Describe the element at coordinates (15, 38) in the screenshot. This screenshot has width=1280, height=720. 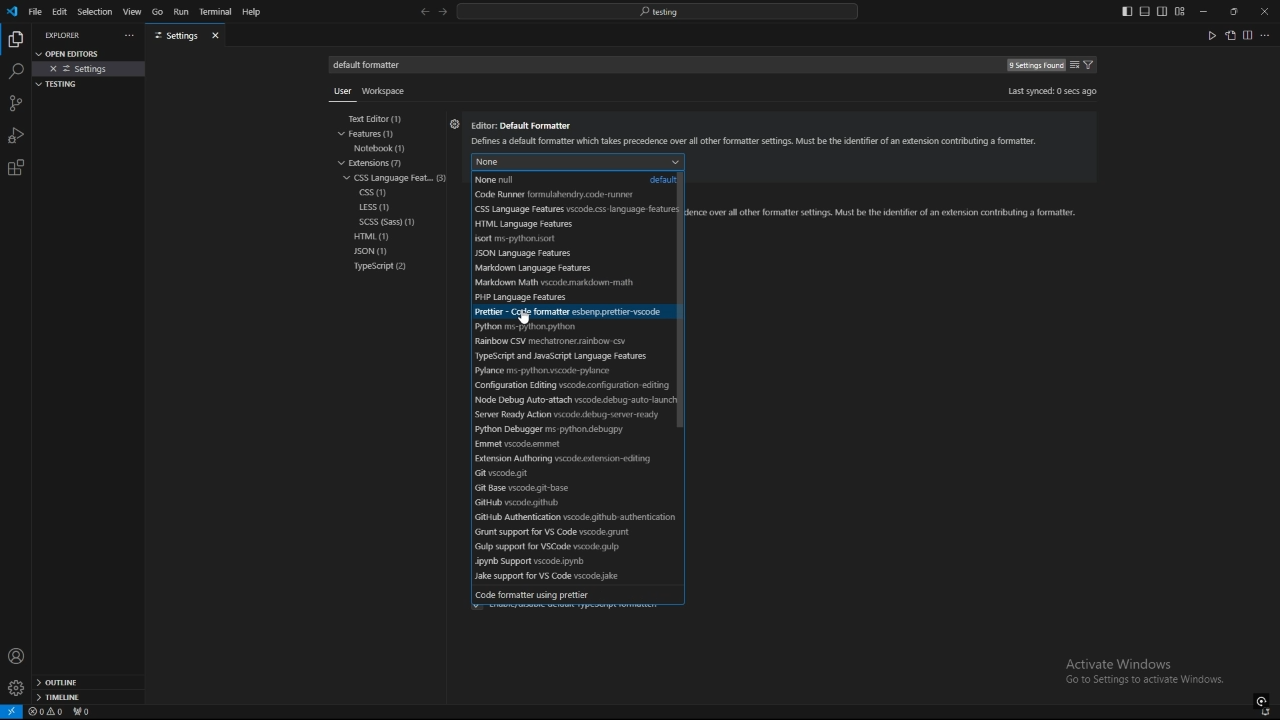
I see `explore` at that location.